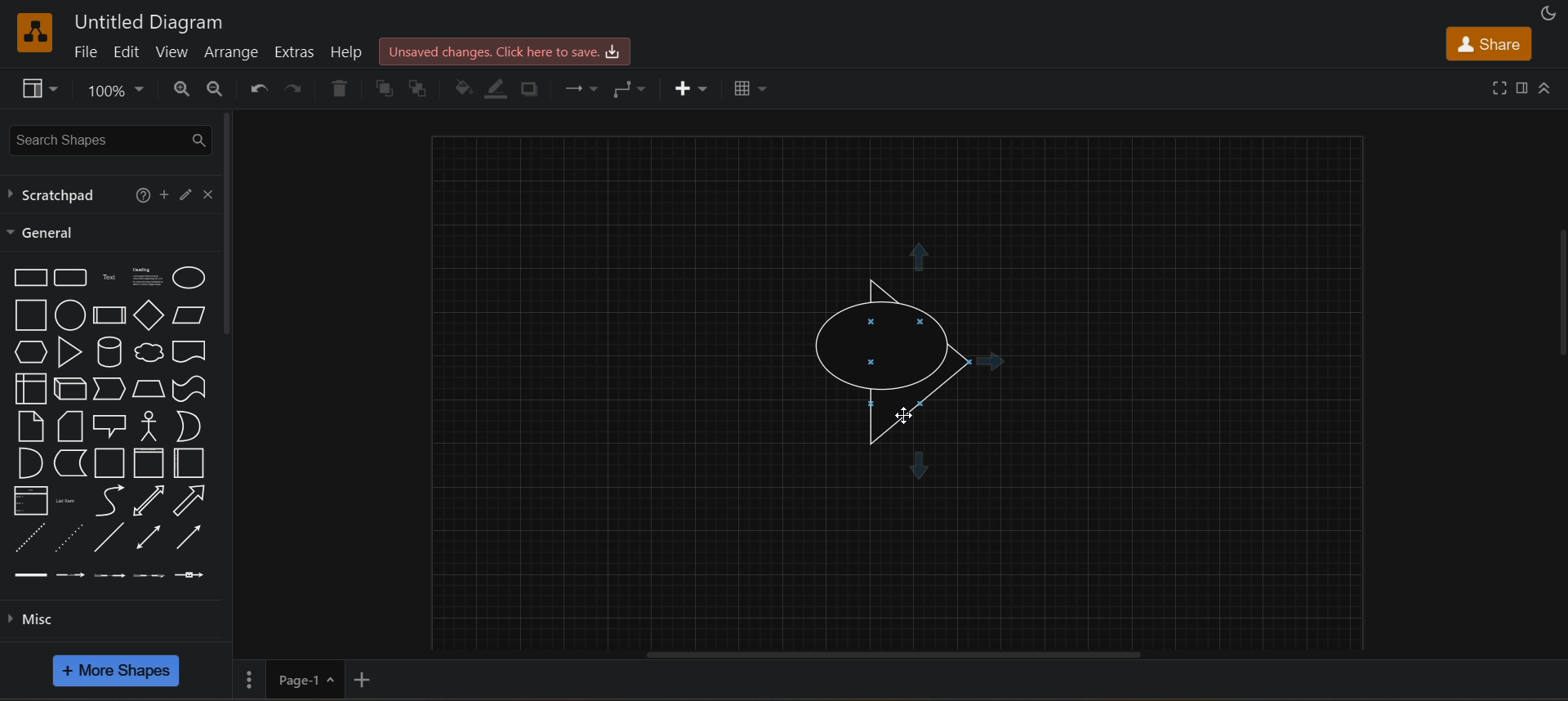  What do you see at coordinates (37, 88) in the screenshot?
I see `view` at bounding box center [37, 88].